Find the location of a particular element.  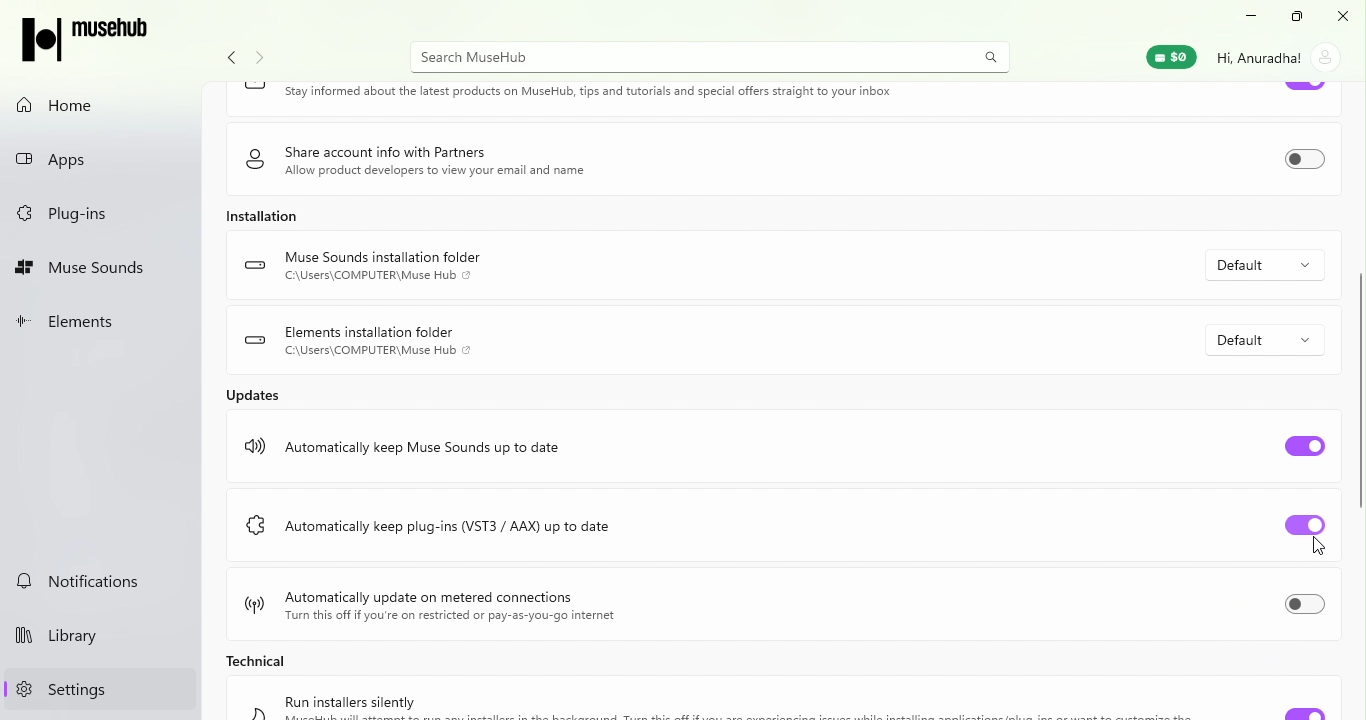

Muse Sounds is located at coordinates (98, 269).